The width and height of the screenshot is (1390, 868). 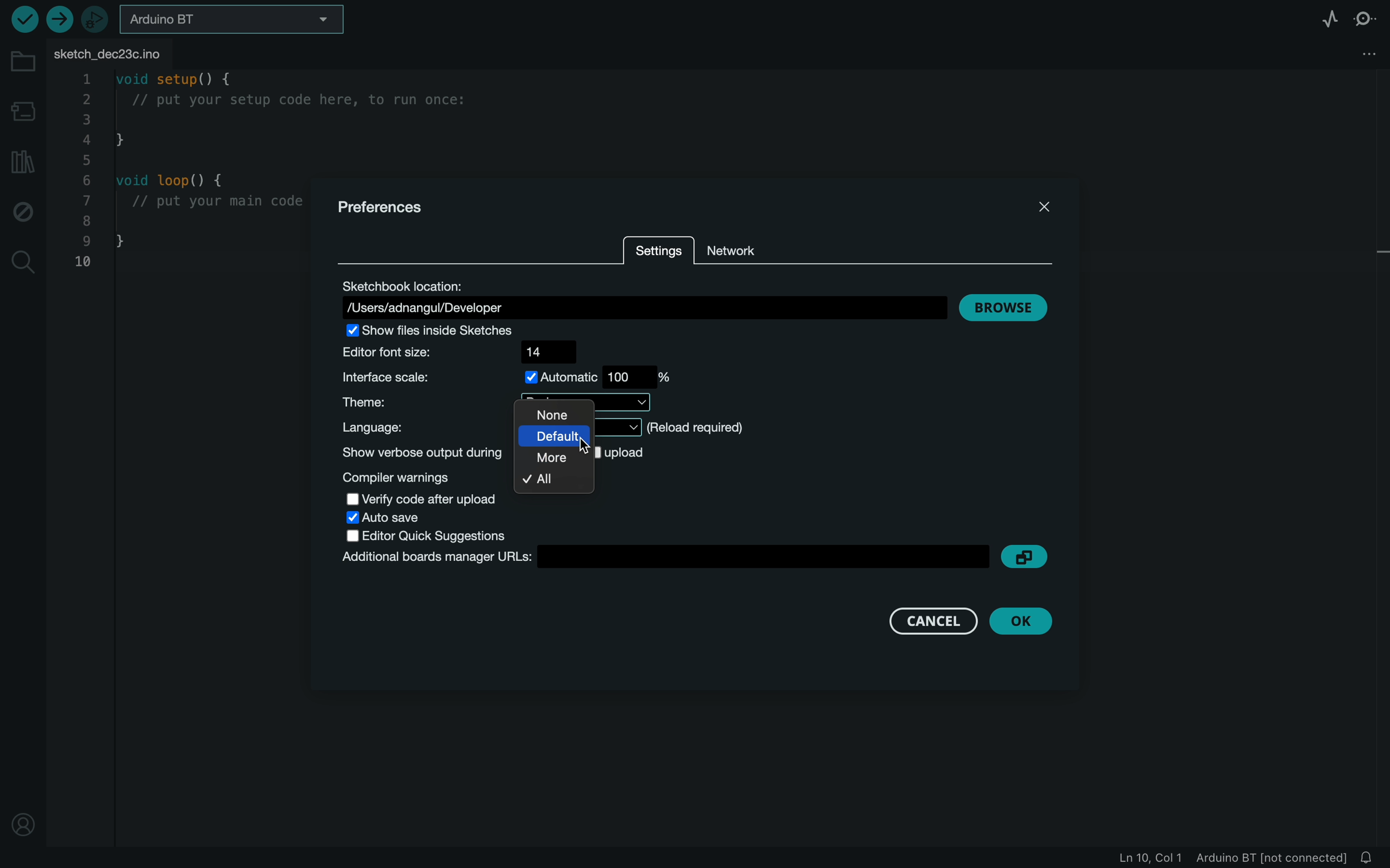 What do you see at coordinates (554, 482) in the screenshot?
I see `all` at bounding box center [554, 482].